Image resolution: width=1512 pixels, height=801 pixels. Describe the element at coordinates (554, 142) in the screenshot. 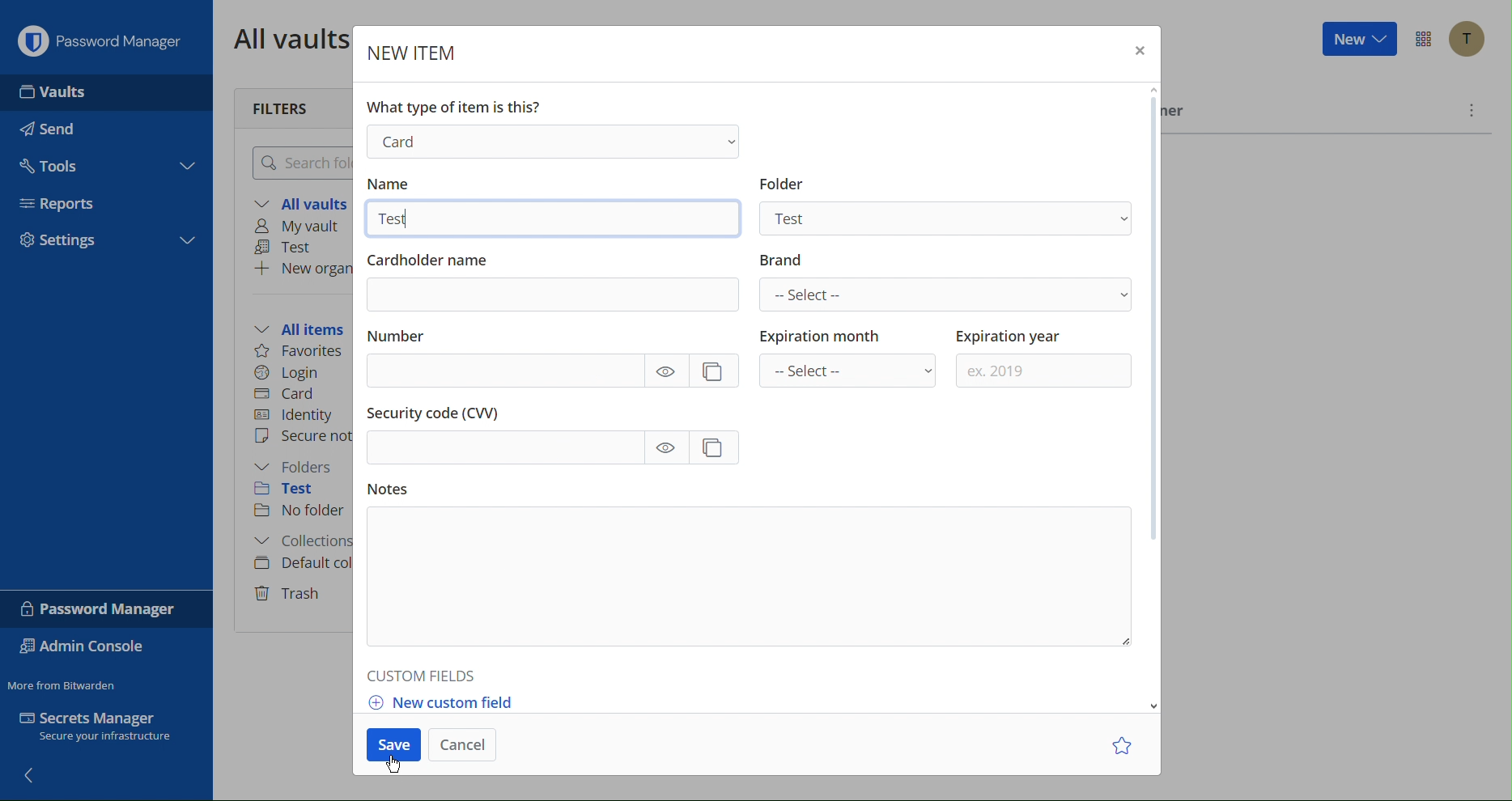

I see `Login` at that location.